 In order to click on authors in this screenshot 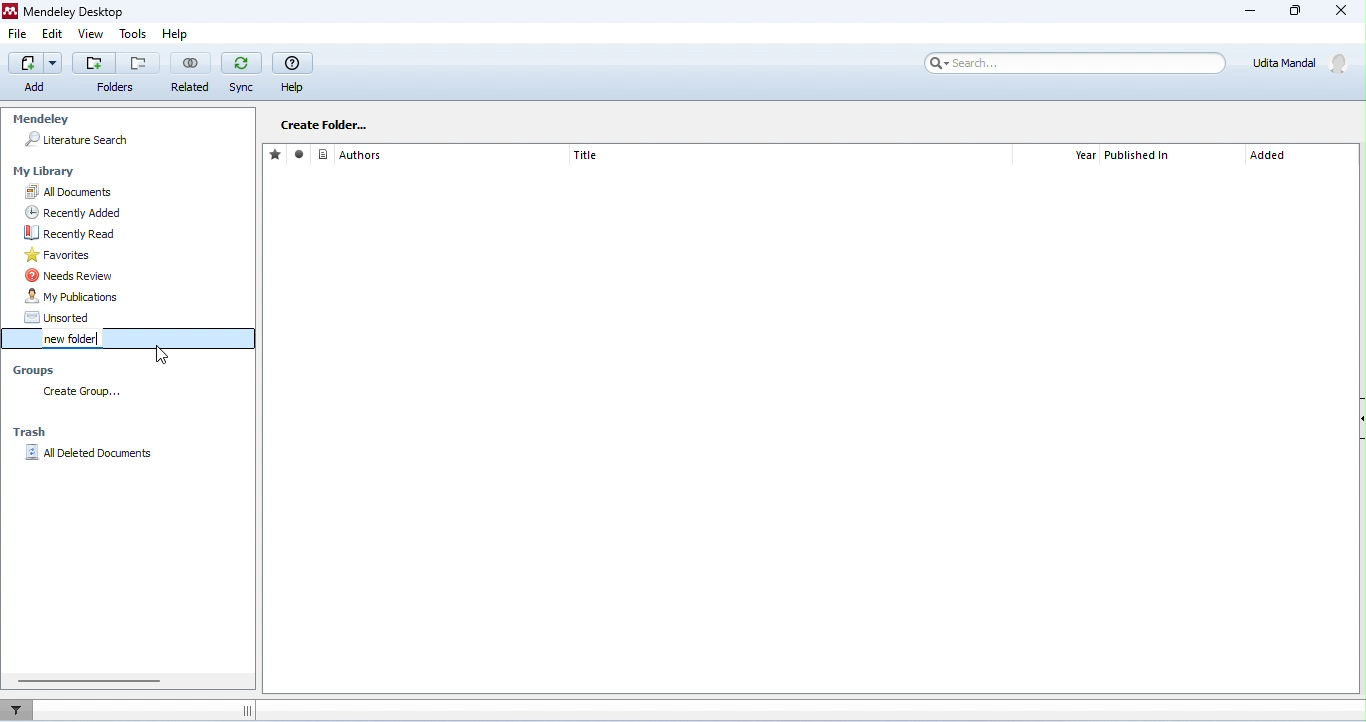, I will do `click(351, 154)`.